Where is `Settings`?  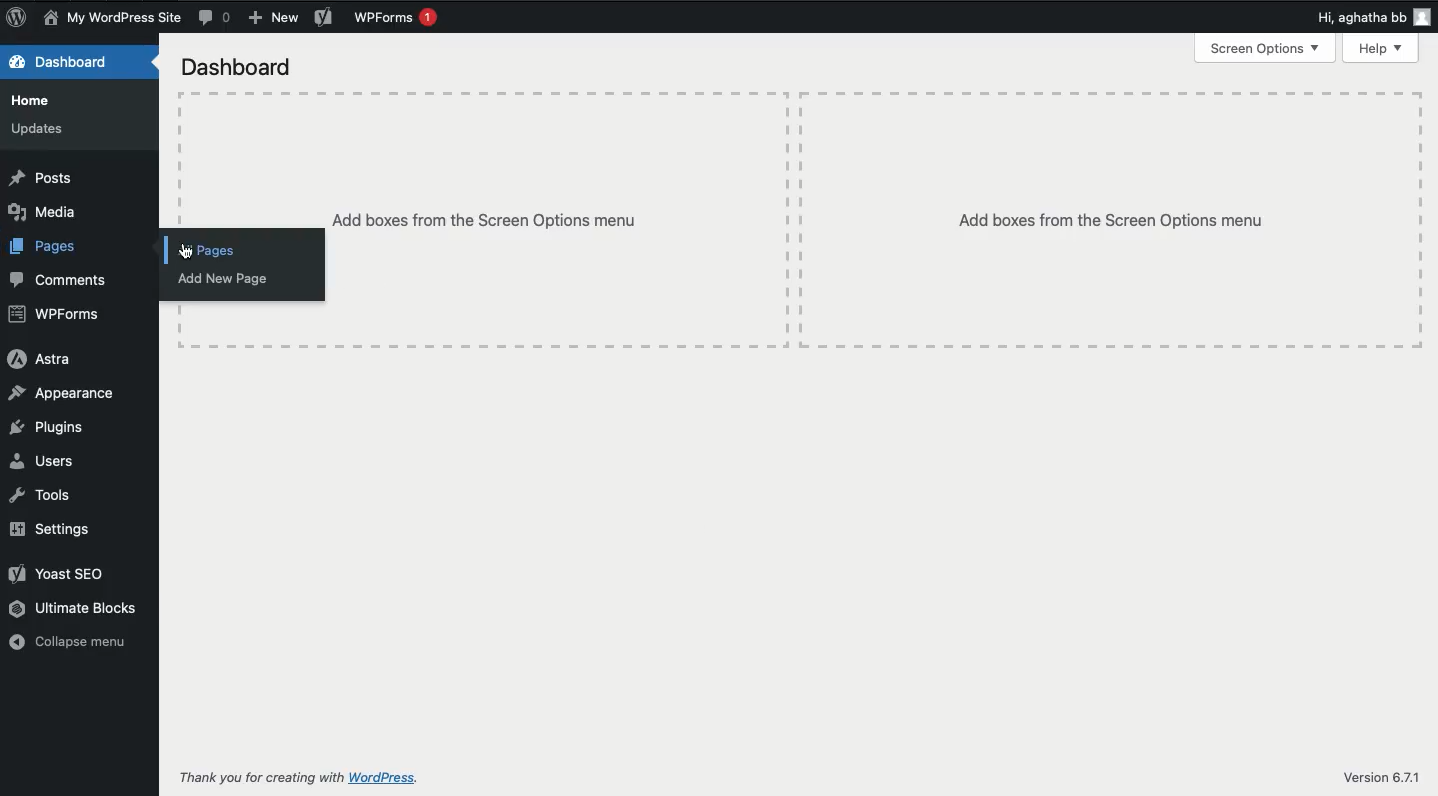 Settings is located at coordinates (57, 531).